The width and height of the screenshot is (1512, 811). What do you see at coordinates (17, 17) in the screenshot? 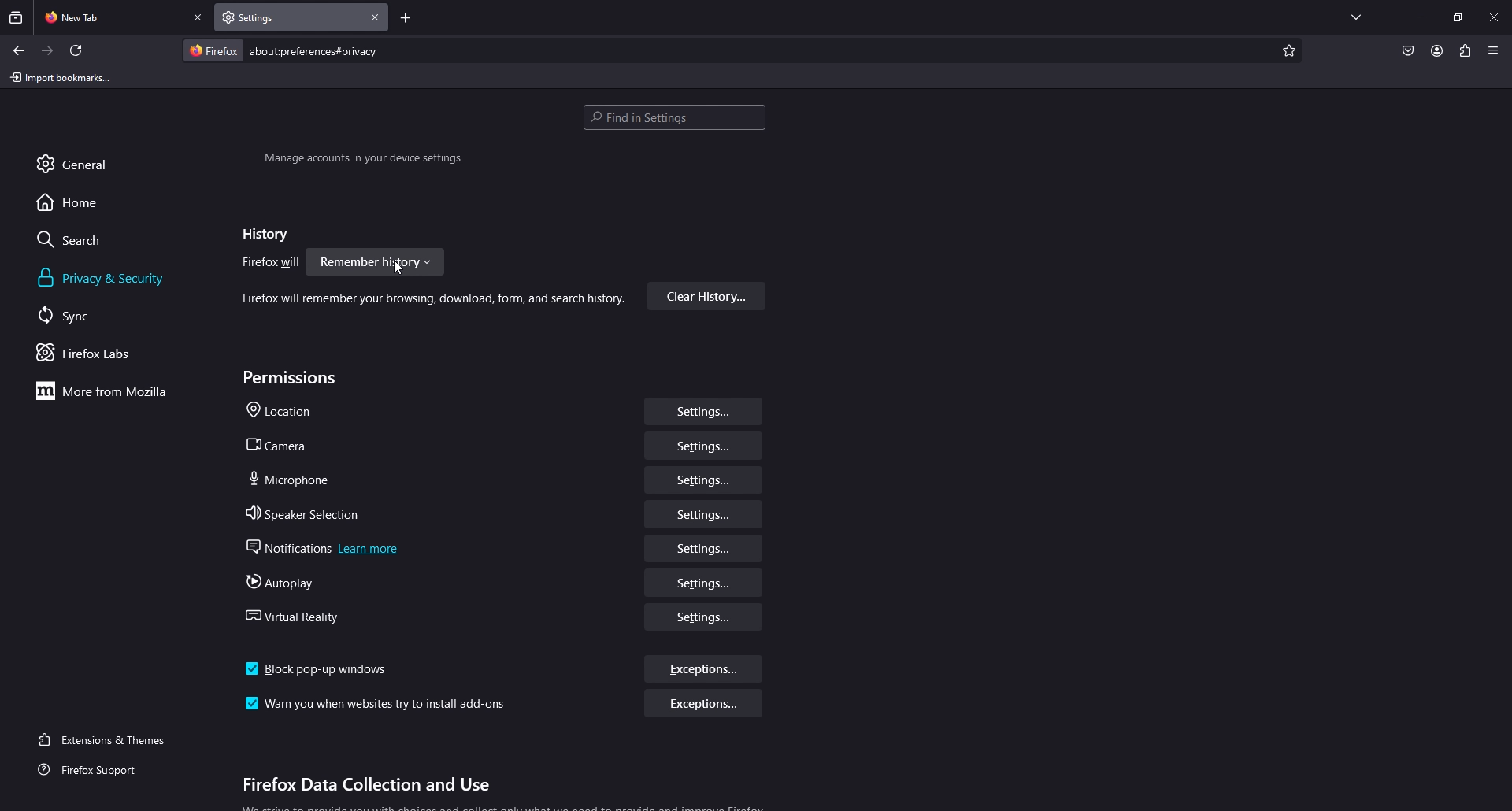
I see `recent browsing` at bounding box center [17, 17].